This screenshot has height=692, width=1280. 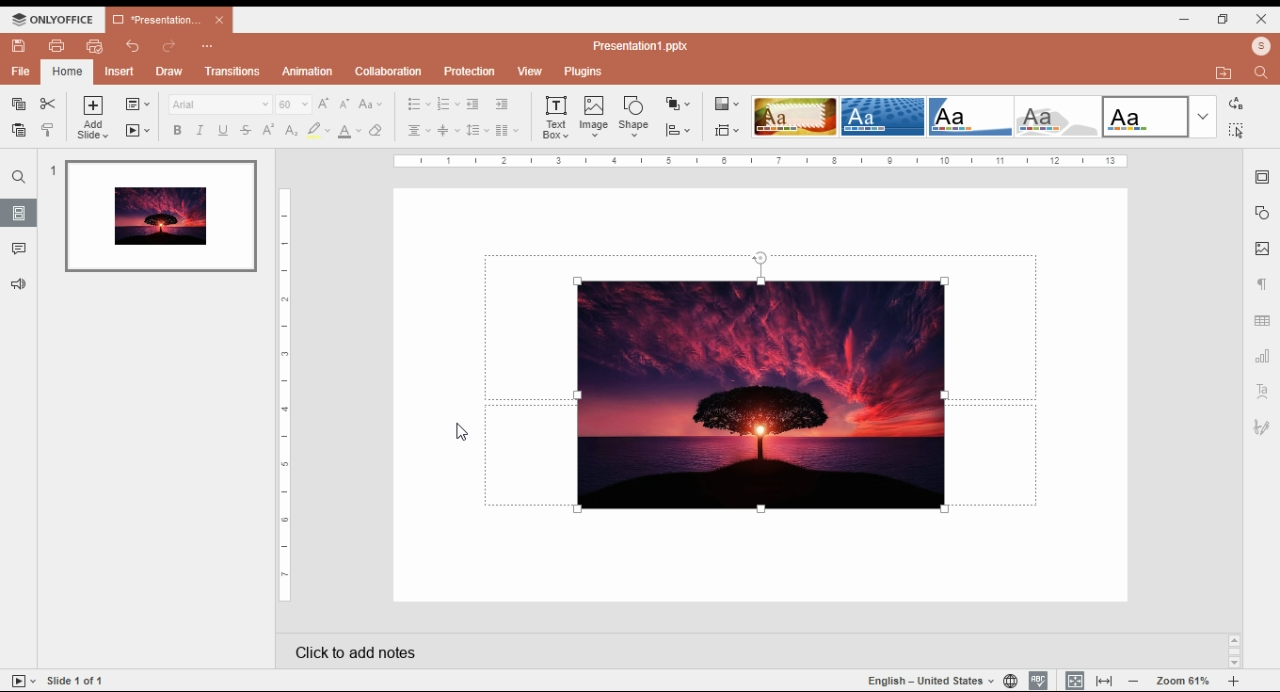 I want to click on open file location, so click(x=1224, y=73).